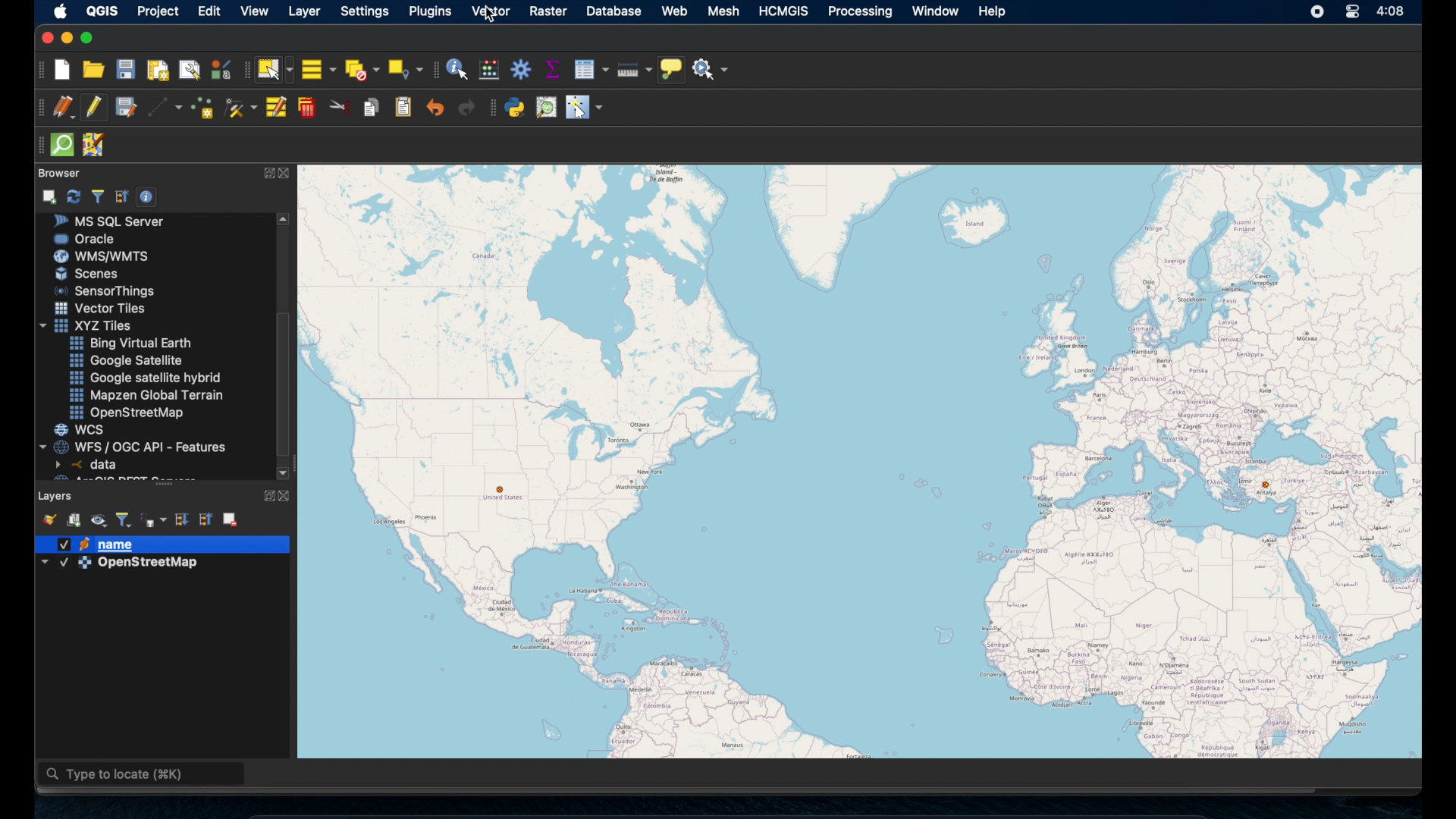 The image size is (1456, 819). What do you see at coordinates (147, 394) in the screenshot?
I see `mapzen global terrain` at bounding box center [147, 394].